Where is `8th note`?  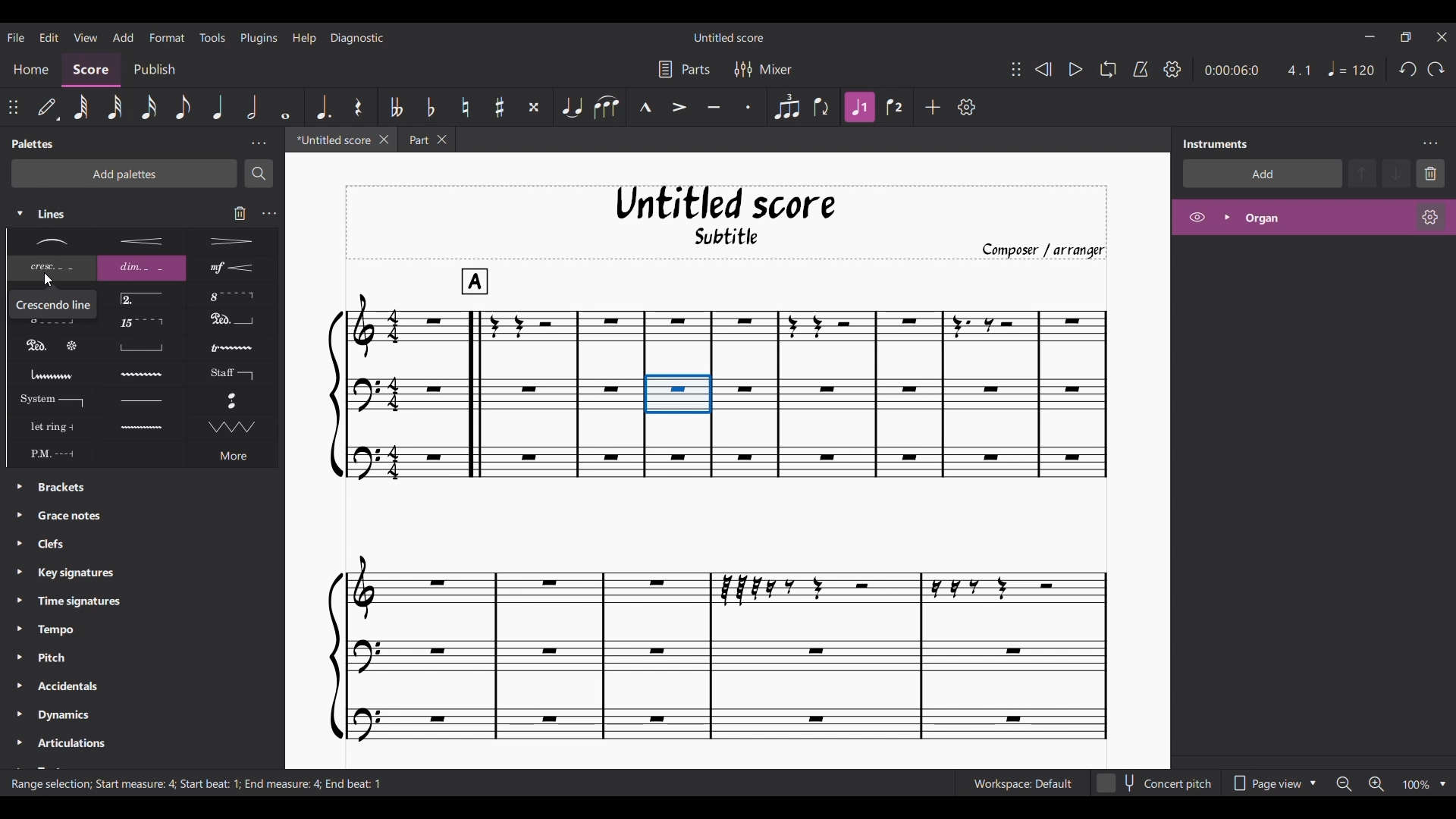 8th note is located at coordinates (182, 107).